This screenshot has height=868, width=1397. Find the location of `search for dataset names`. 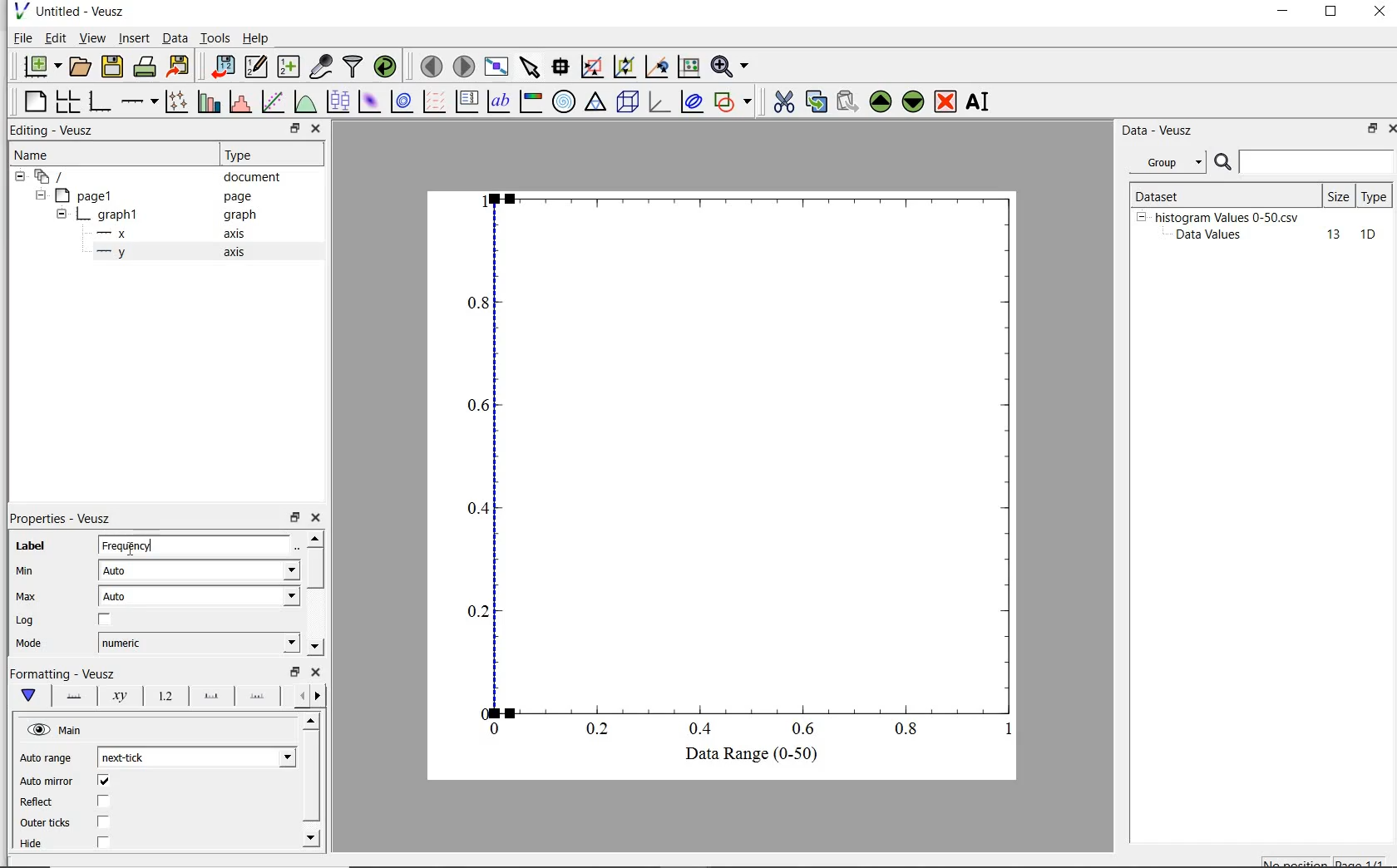

search for dataset names is located at coordinates (1317, 162).